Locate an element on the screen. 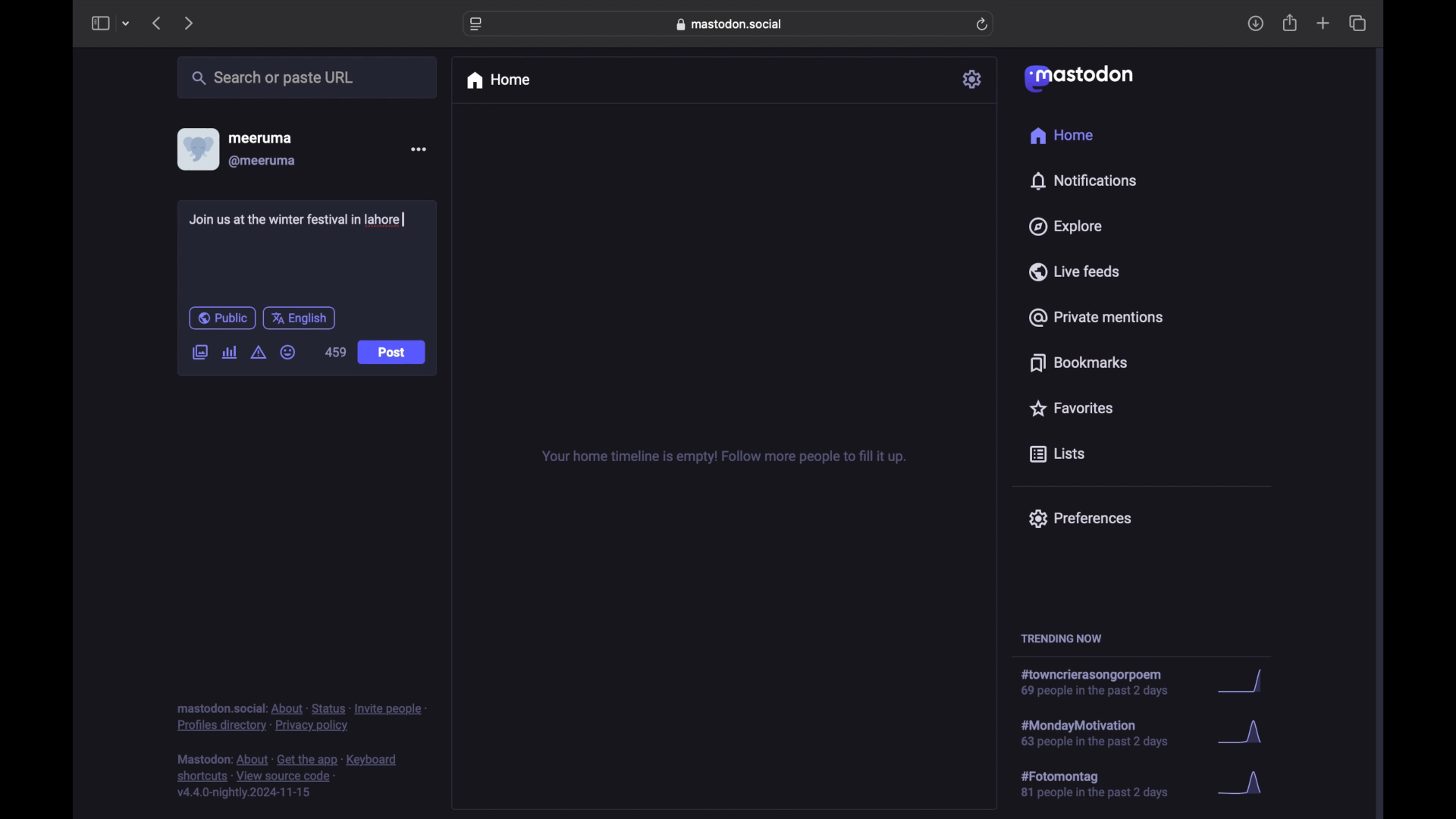  display picture is located at coordinates (196, 149).